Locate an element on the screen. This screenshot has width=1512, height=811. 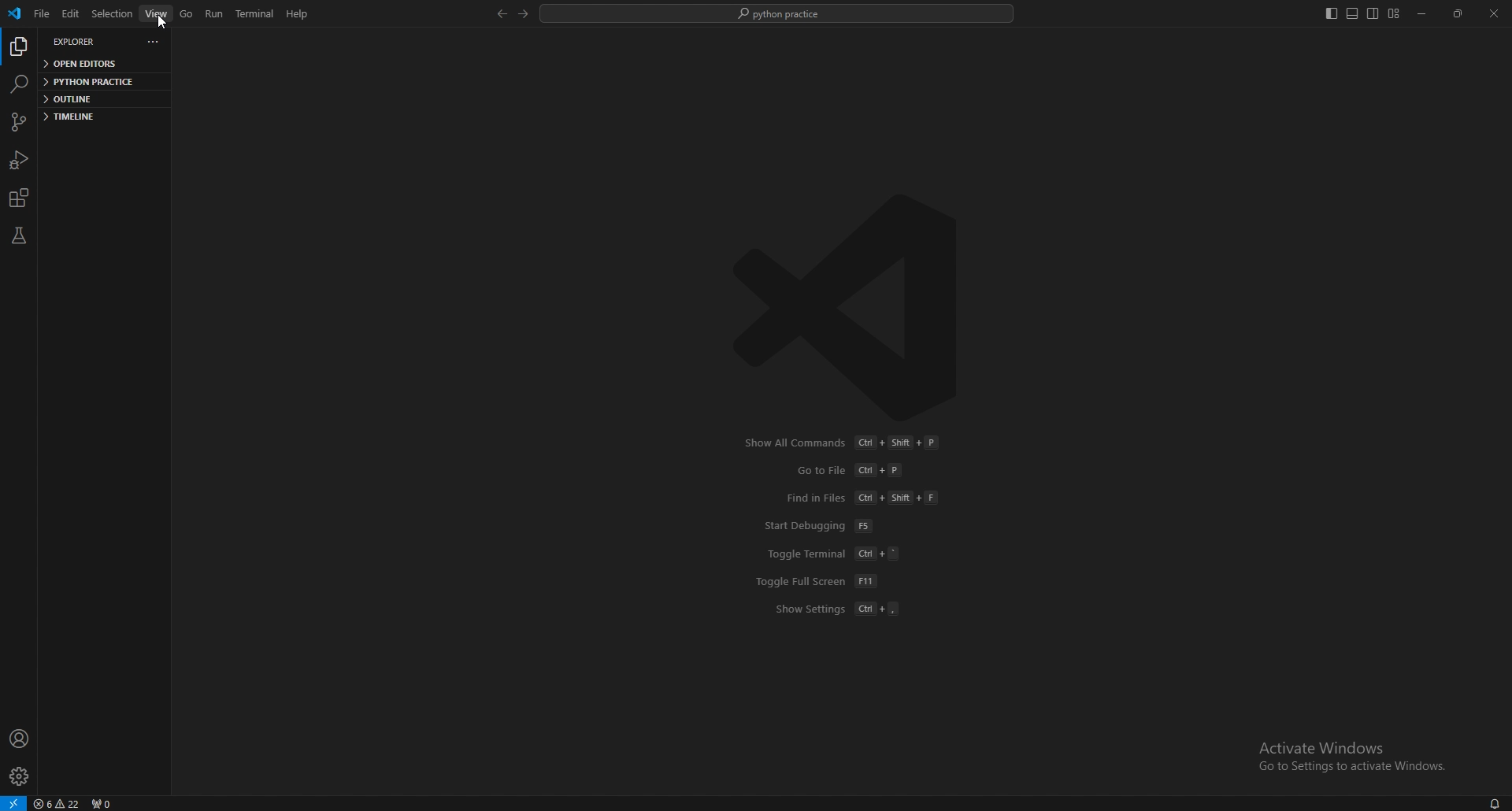
search bar is located at coordinates (778, 13).